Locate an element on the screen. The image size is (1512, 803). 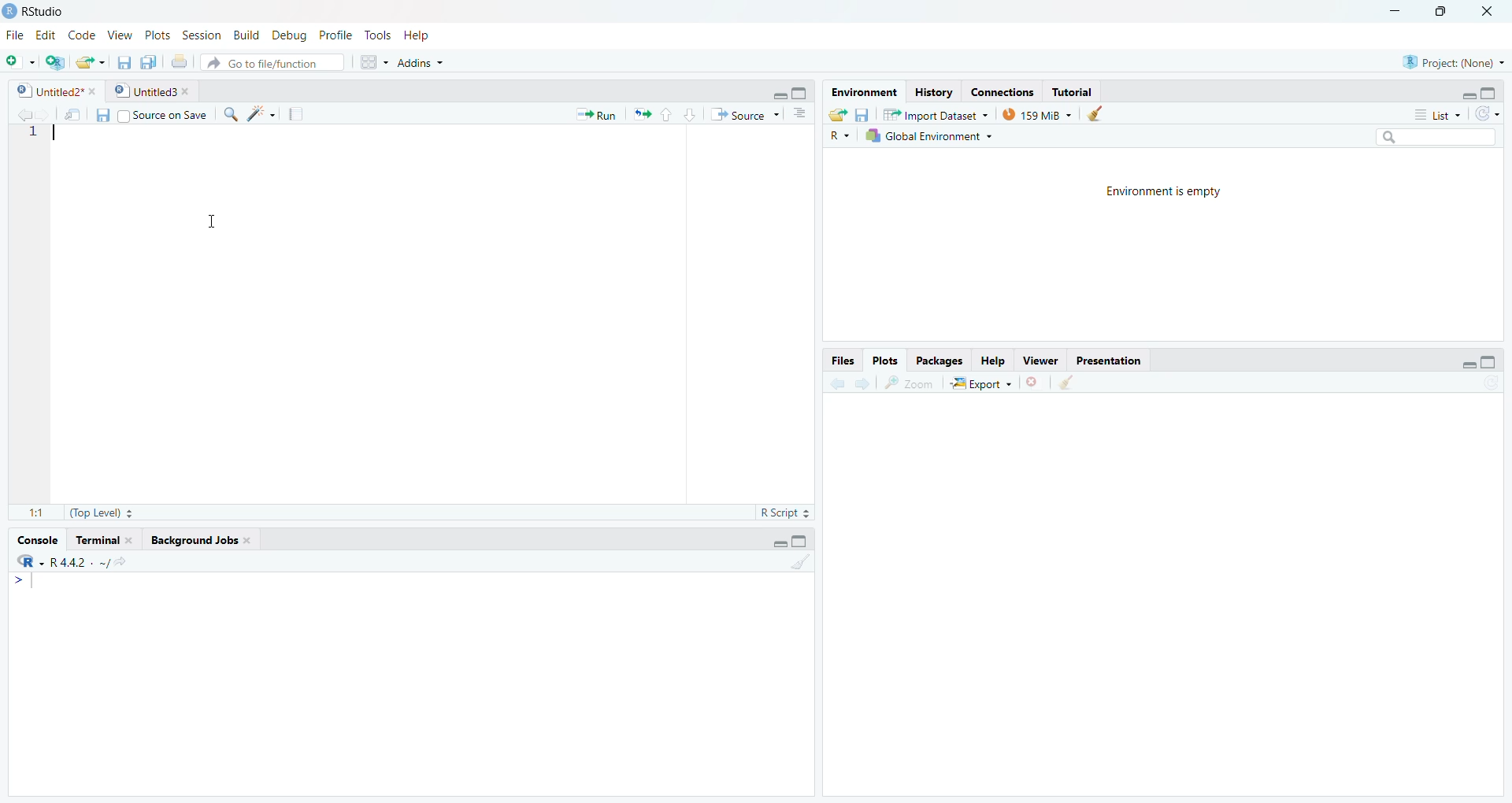
Plots is located at coordinates (884, 361).